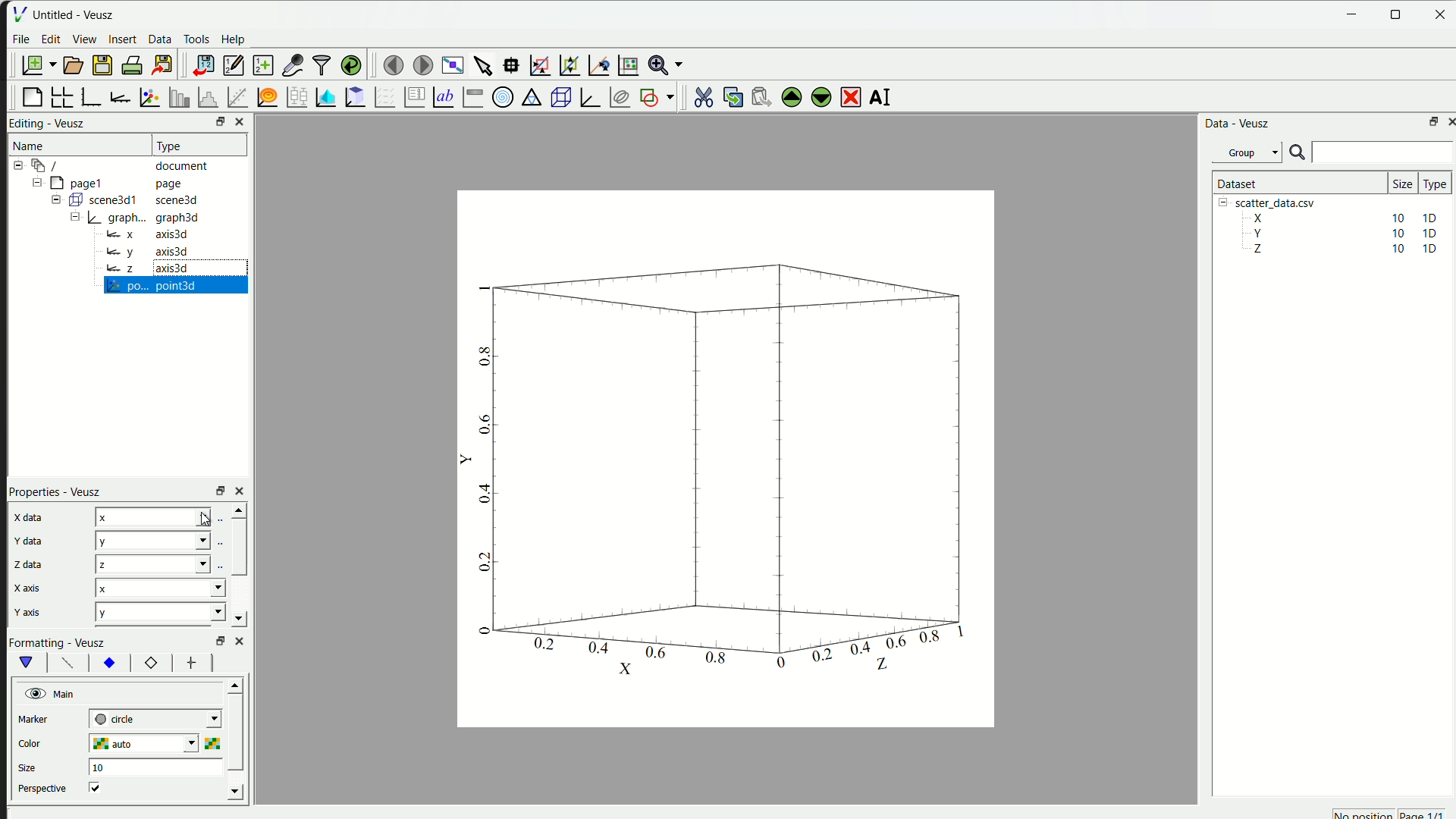 The height and width of the screenshot is (819, 1456). I want to click on add axis to plot, so click(118, 96).